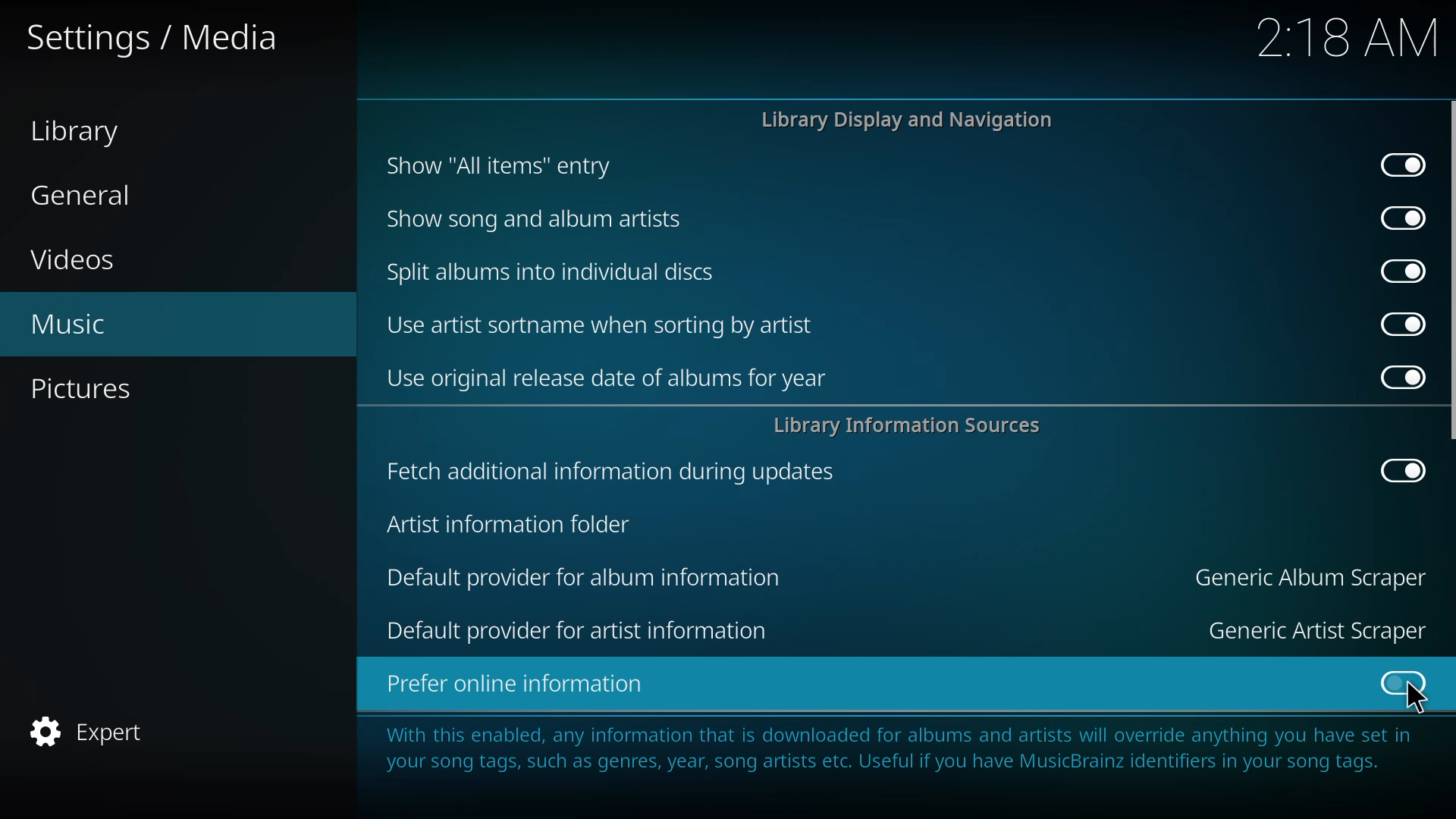 The image size is (1456, 819). Describe the element at coordinates (908, 424) in the screenshot. I see `library info sources` at that location.